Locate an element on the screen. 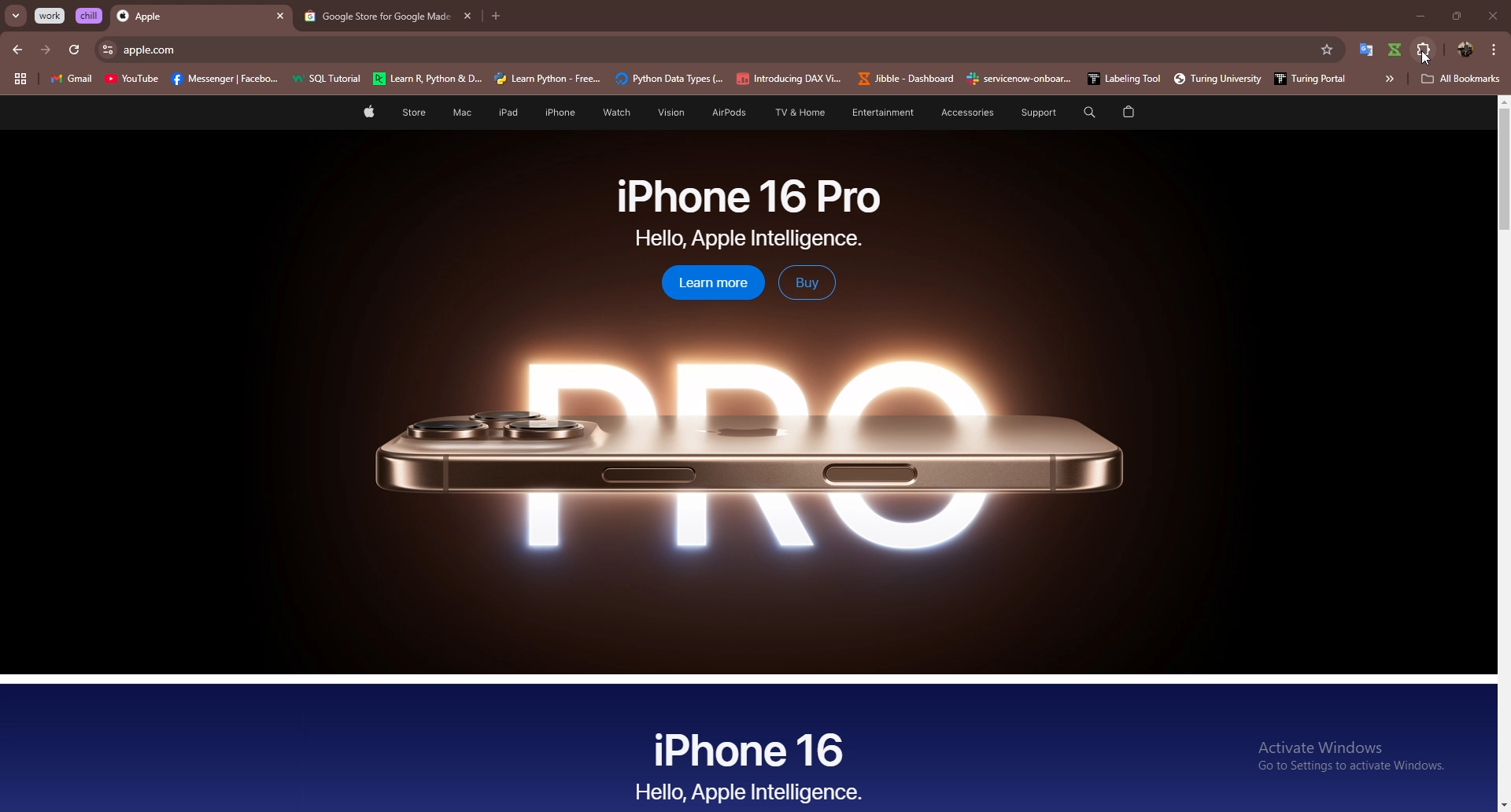  all bookmarks is located at coordinates (1462, 79).